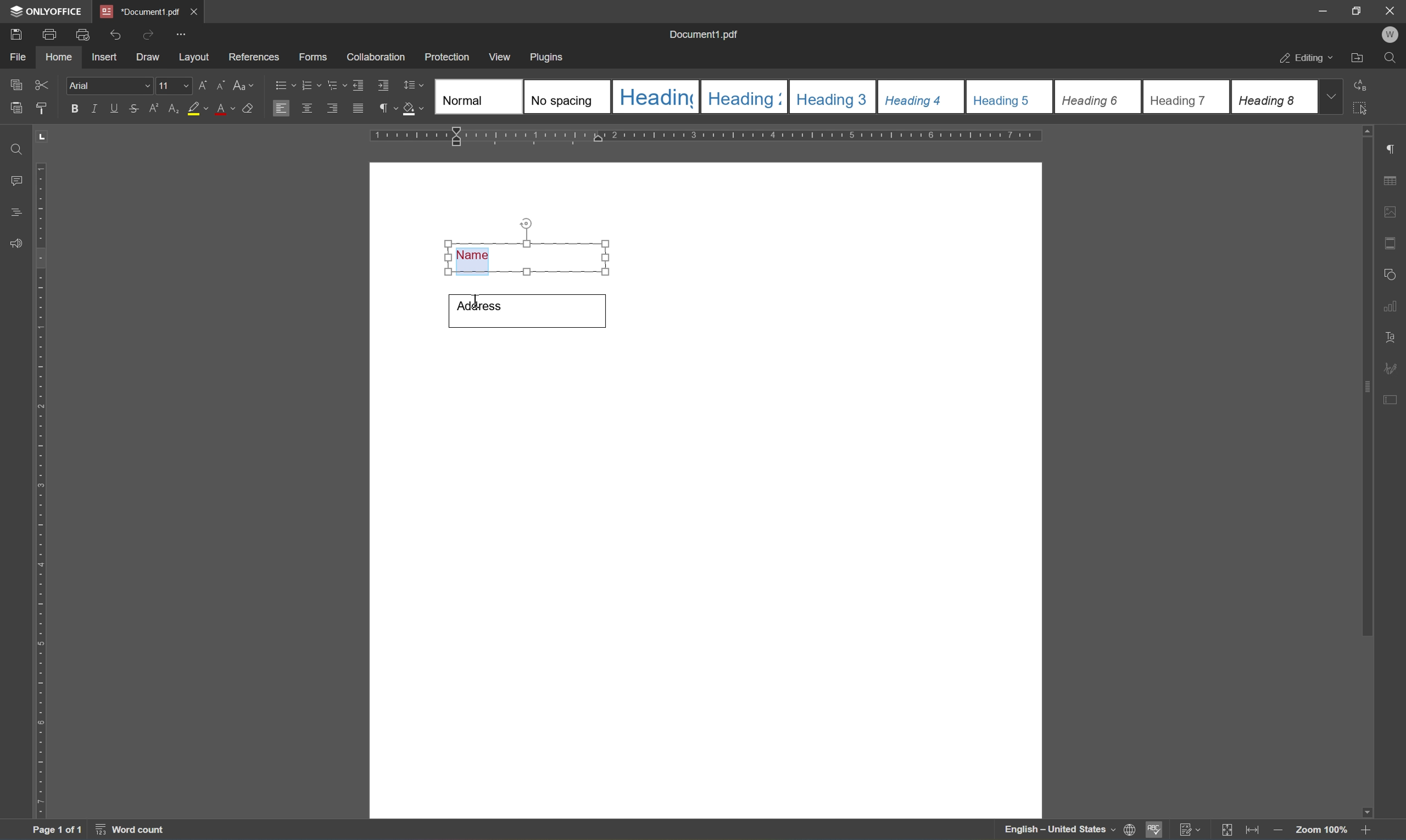 Image resolution: width=1406 pixels, height=840 pixels. I want to click on copy, so click(17, 108).